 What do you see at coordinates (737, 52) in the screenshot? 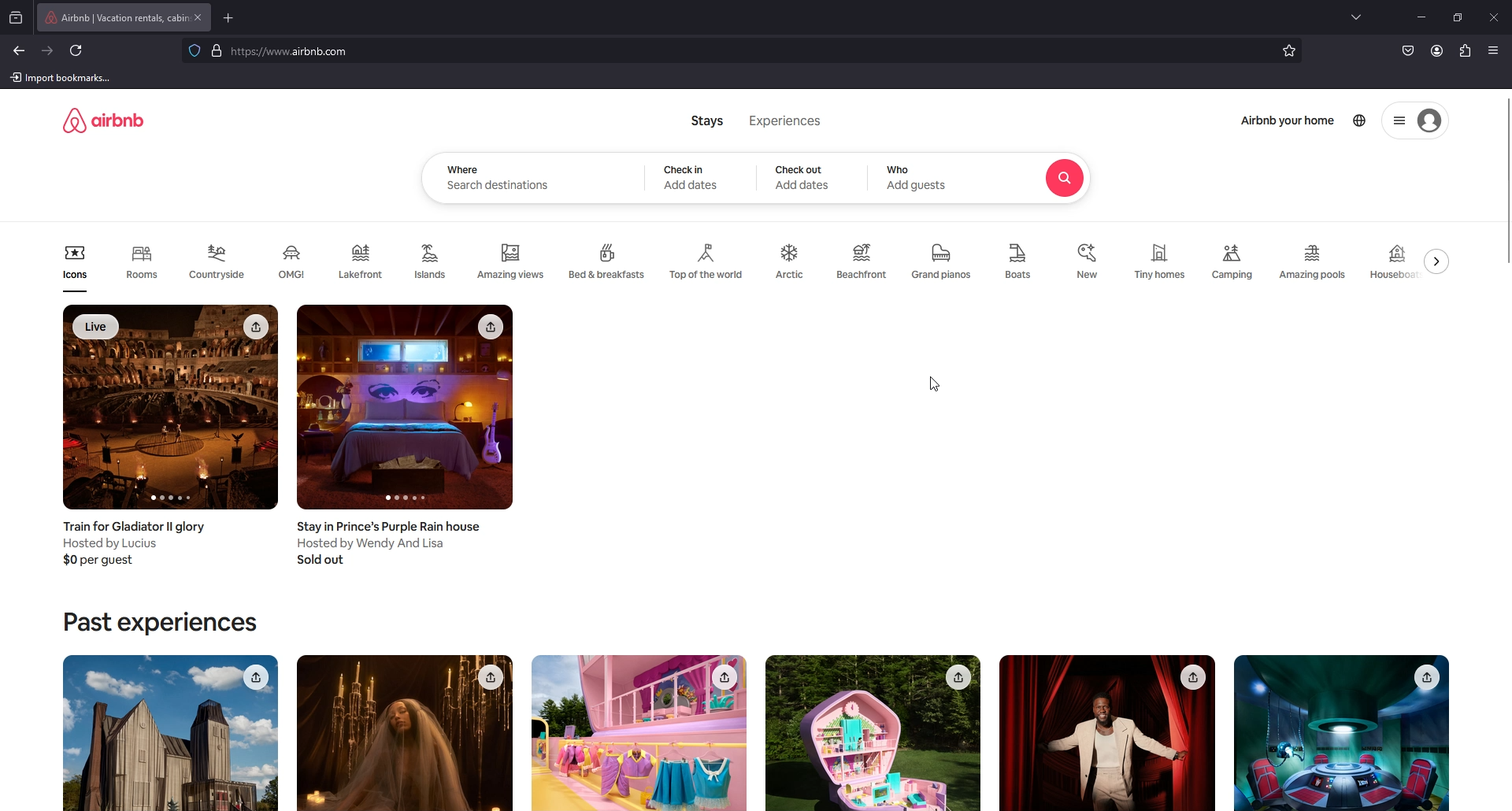
I see `search bar` at bounding box center [737, 52].